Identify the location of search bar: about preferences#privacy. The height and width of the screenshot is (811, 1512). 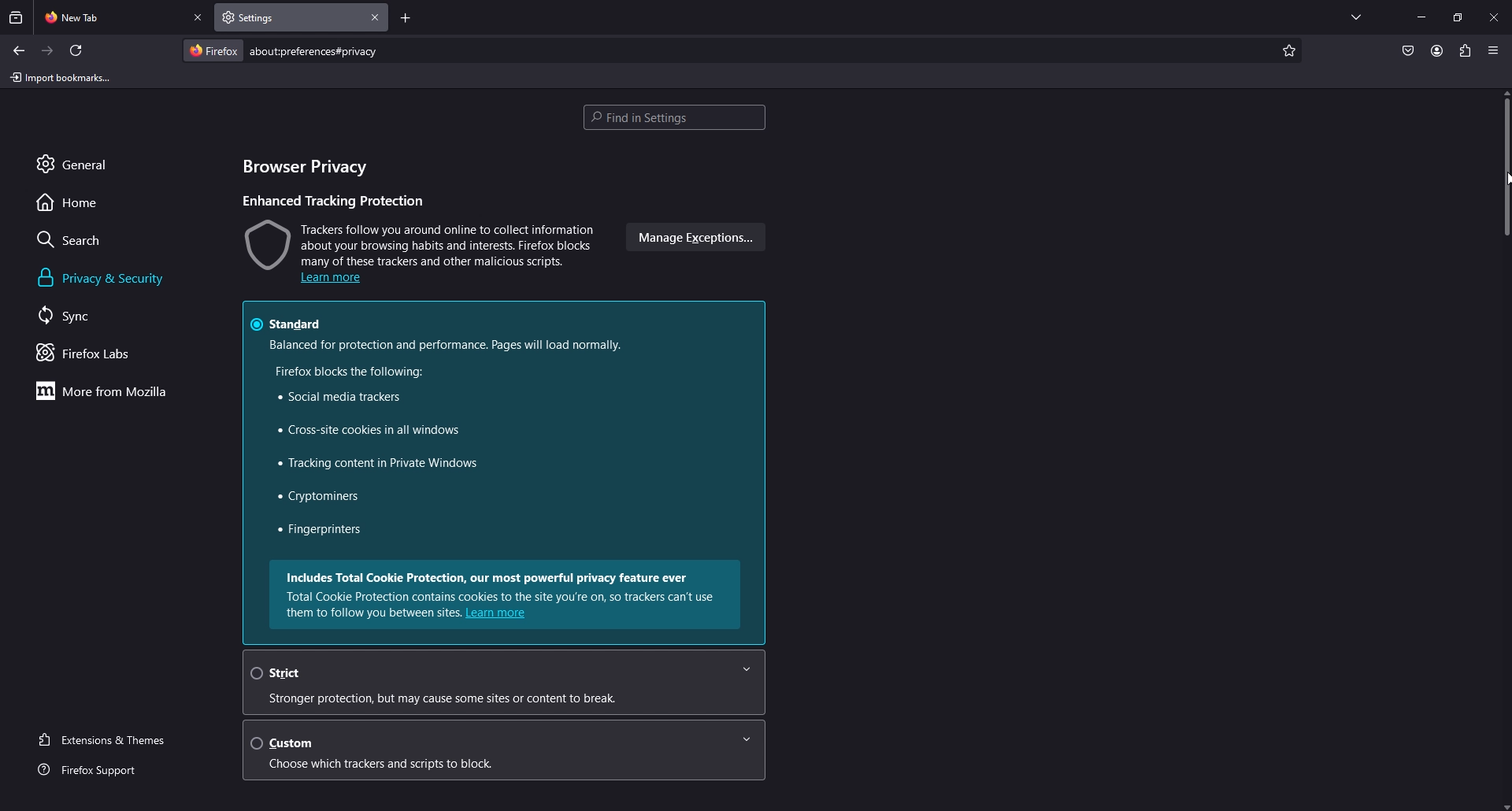
(312, 50).